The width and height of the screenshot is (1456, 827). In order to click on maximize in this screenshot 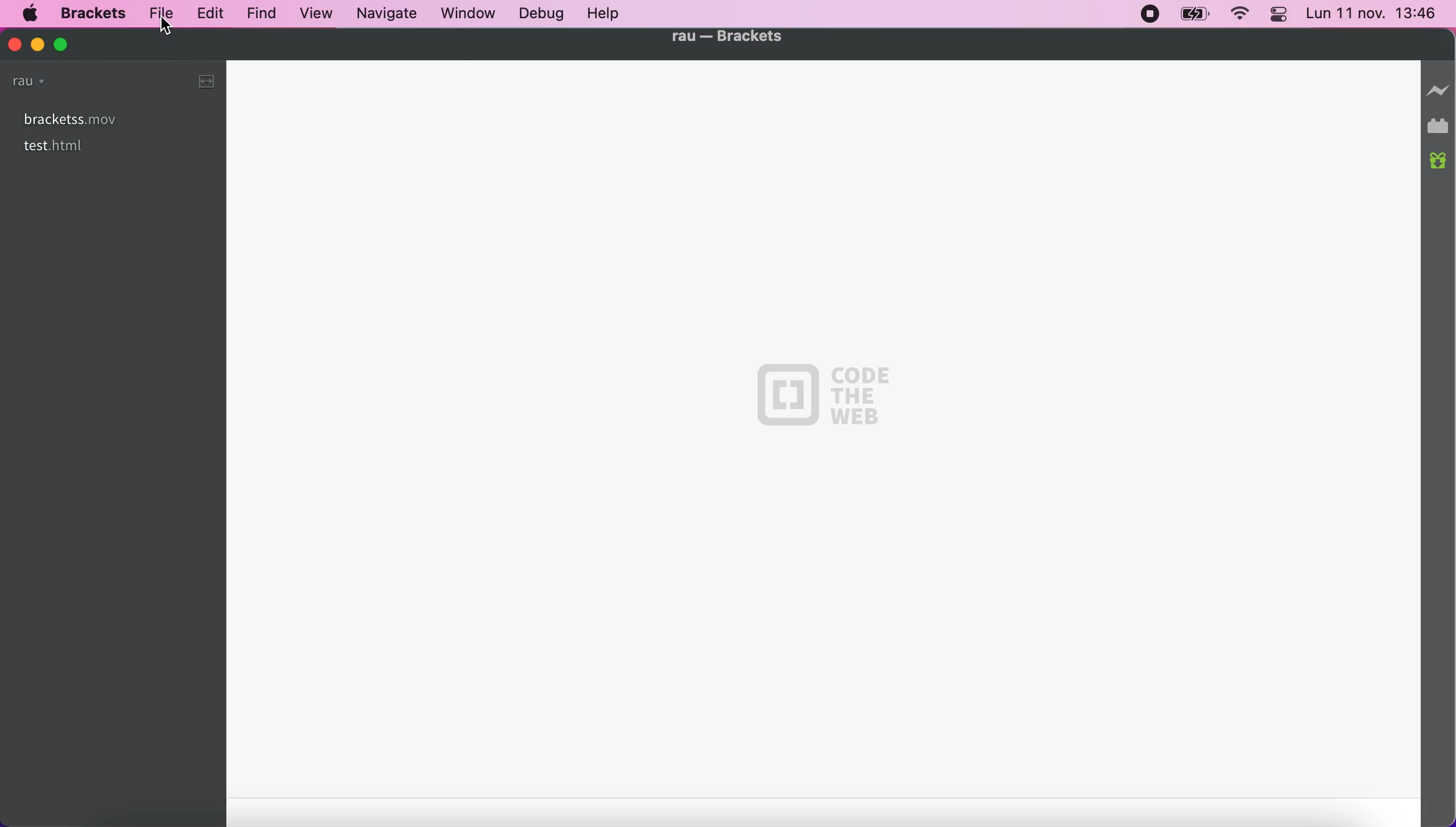, I will do `click(71, 44)`.